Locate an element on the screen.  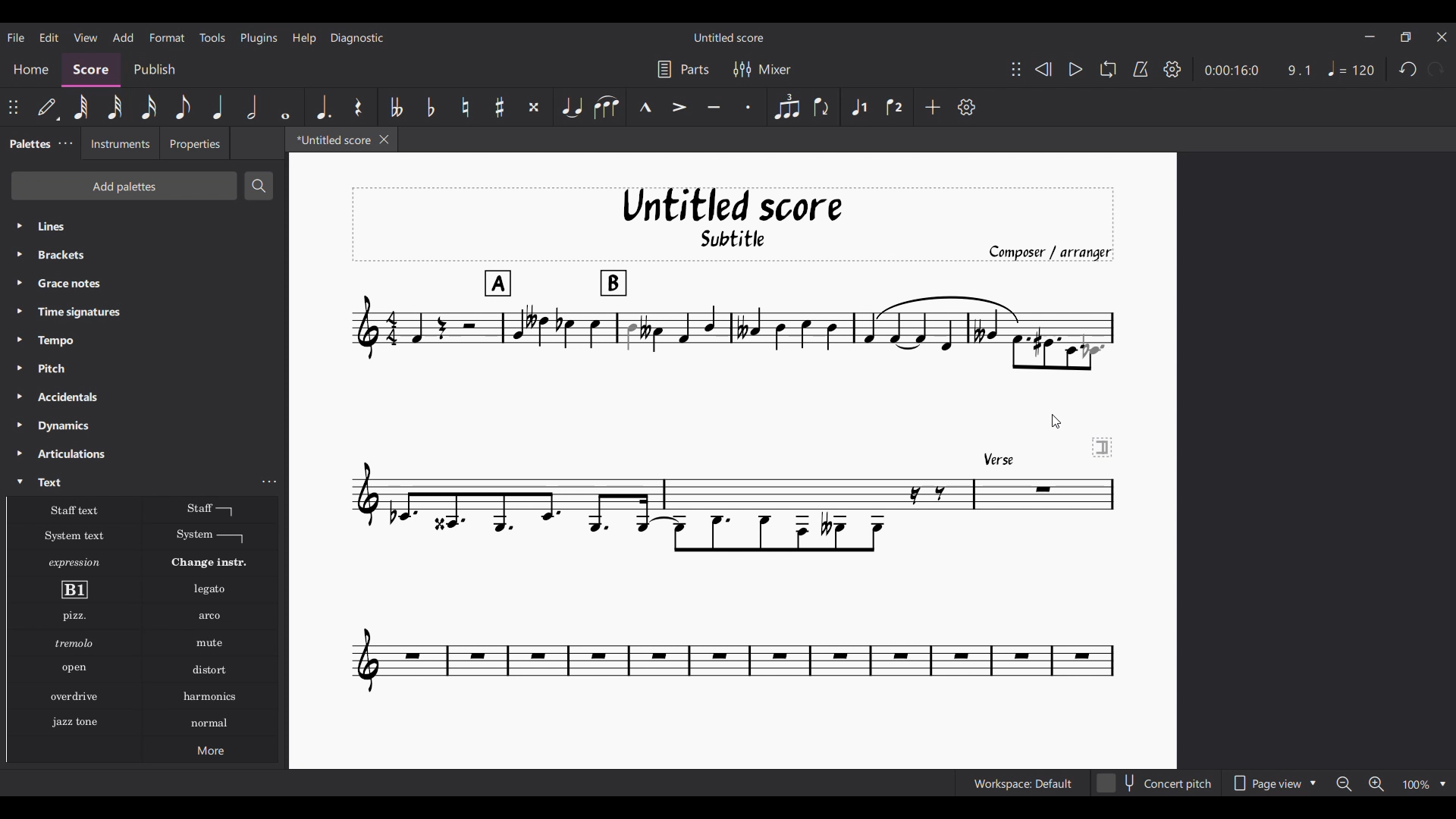
Diagnostic menu is located at coordinates (358, 38).